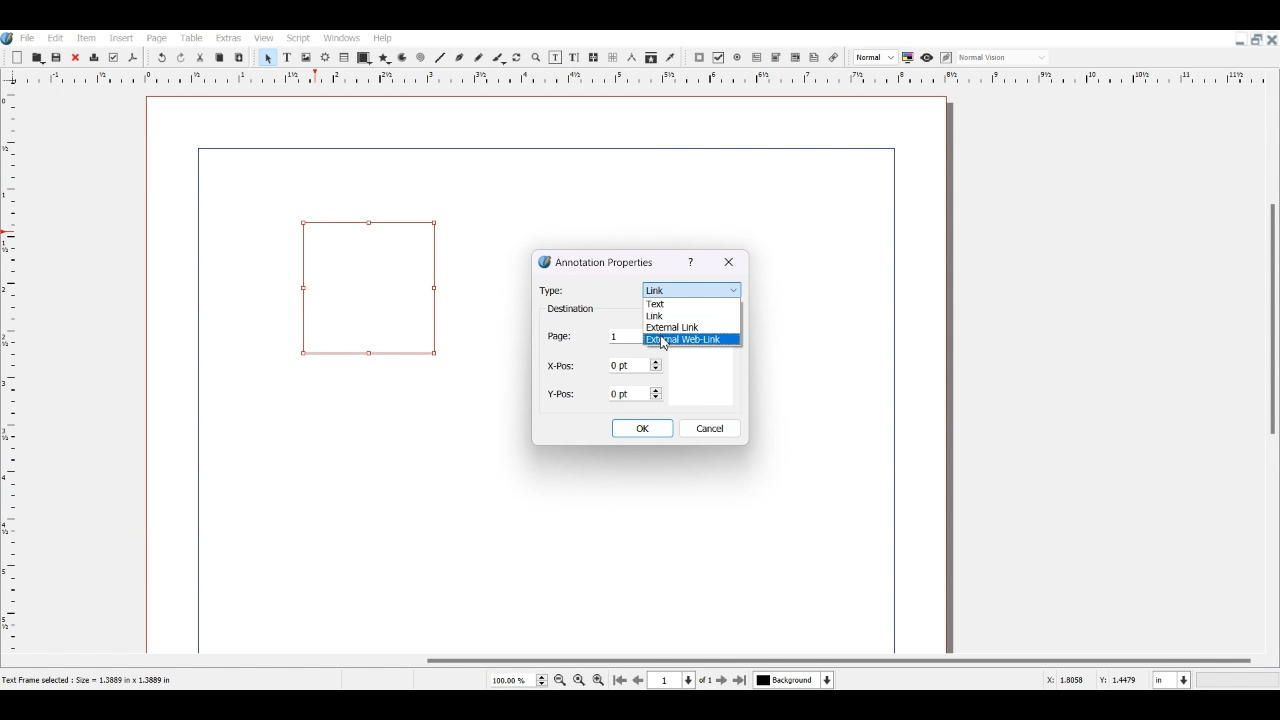 The image size is (1280, 720). Describe the element at coordinates (371, 287) in the screenshot. I see `Link Annotation` at that location.